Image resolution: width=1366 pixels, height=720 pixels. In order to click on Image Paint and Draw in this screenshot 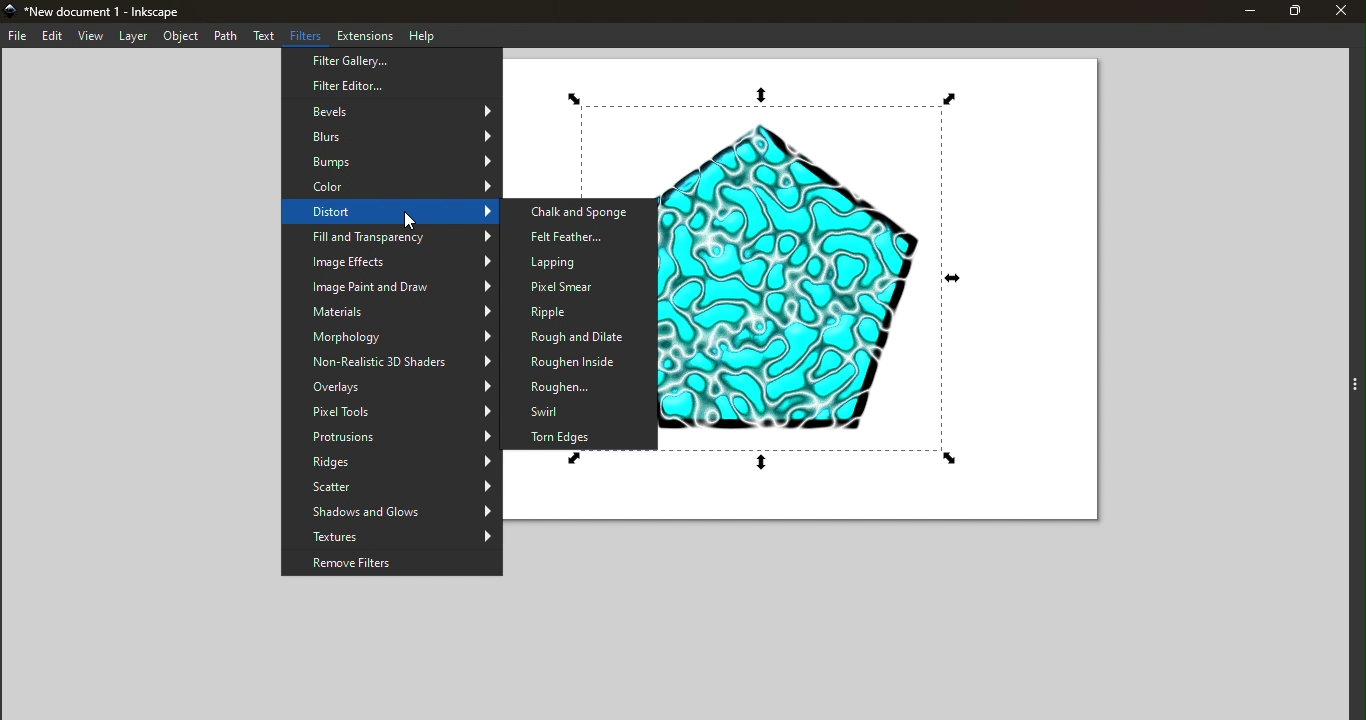, I will do `click(390, 288)`.